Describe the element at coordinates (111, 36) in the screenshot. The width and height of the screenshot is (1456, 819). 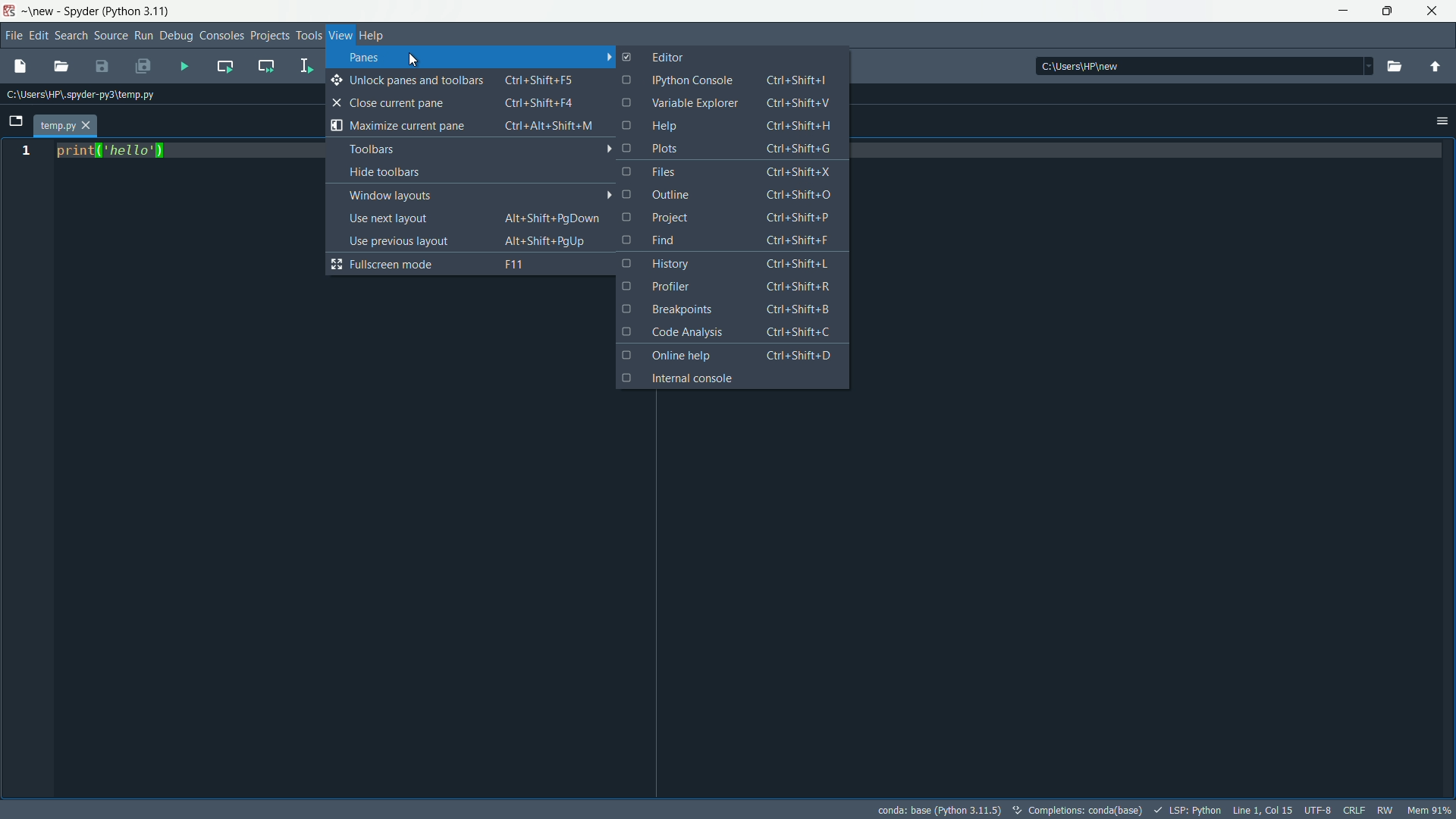
I see `source menu` at that location.